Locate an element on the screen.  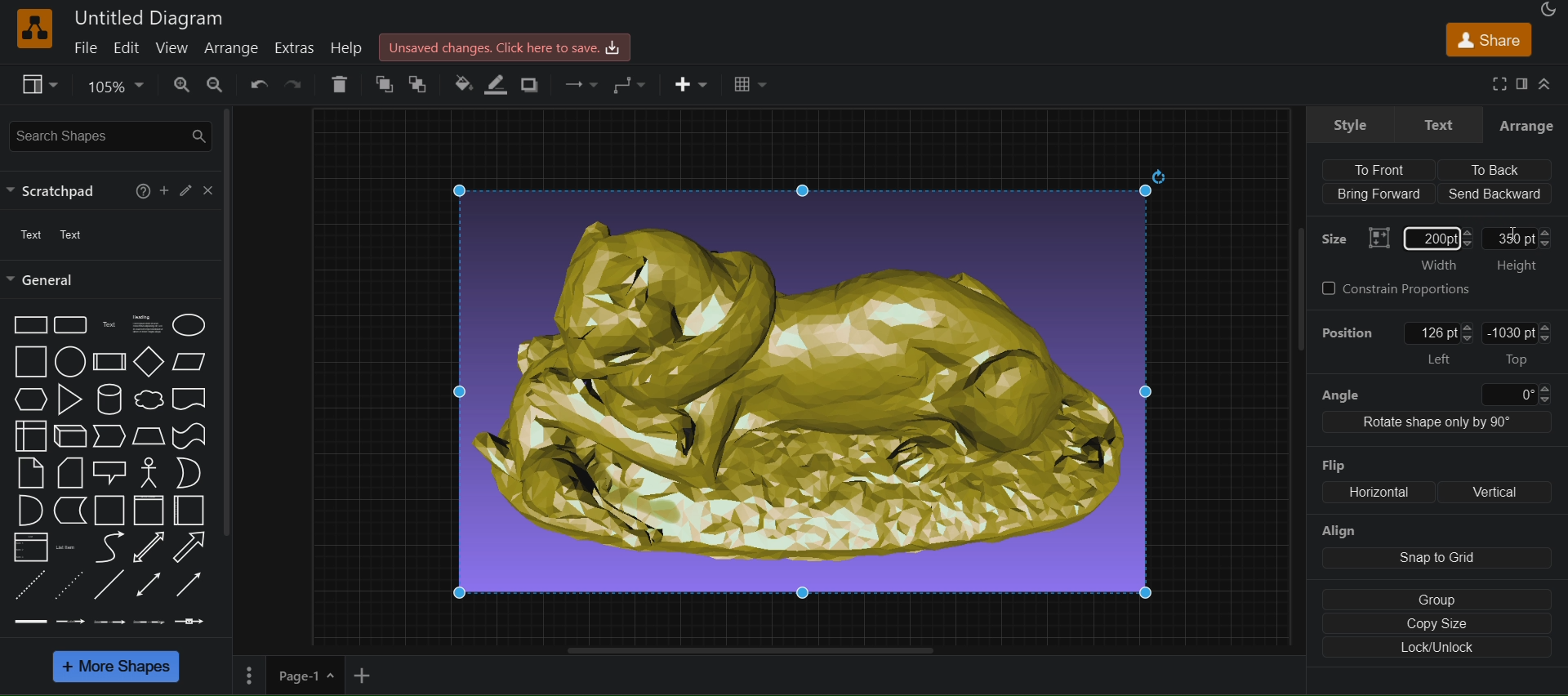
copy size is located at coordinates (1437, 625).